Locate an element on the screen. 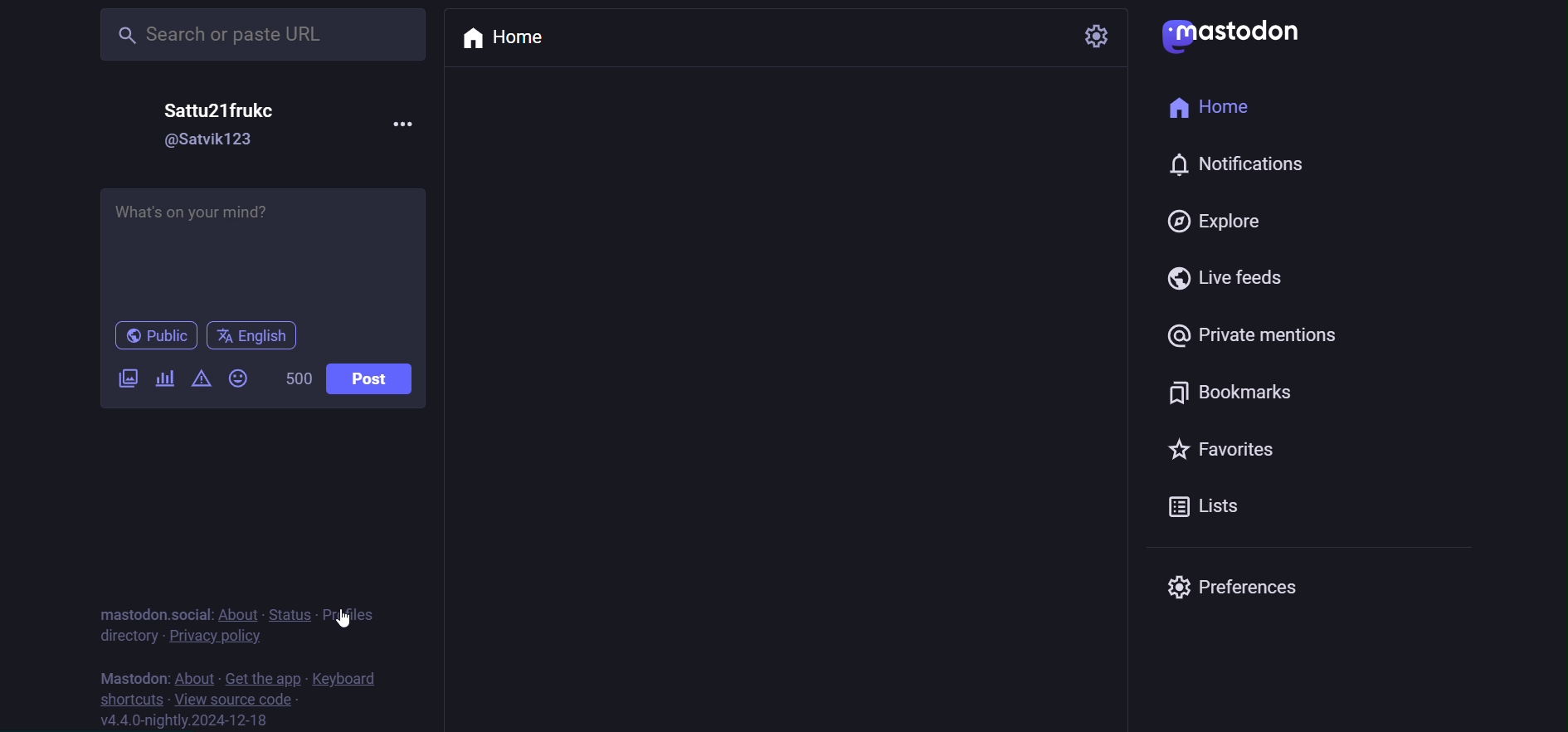  mastodon is located at coordinates (132, 676).